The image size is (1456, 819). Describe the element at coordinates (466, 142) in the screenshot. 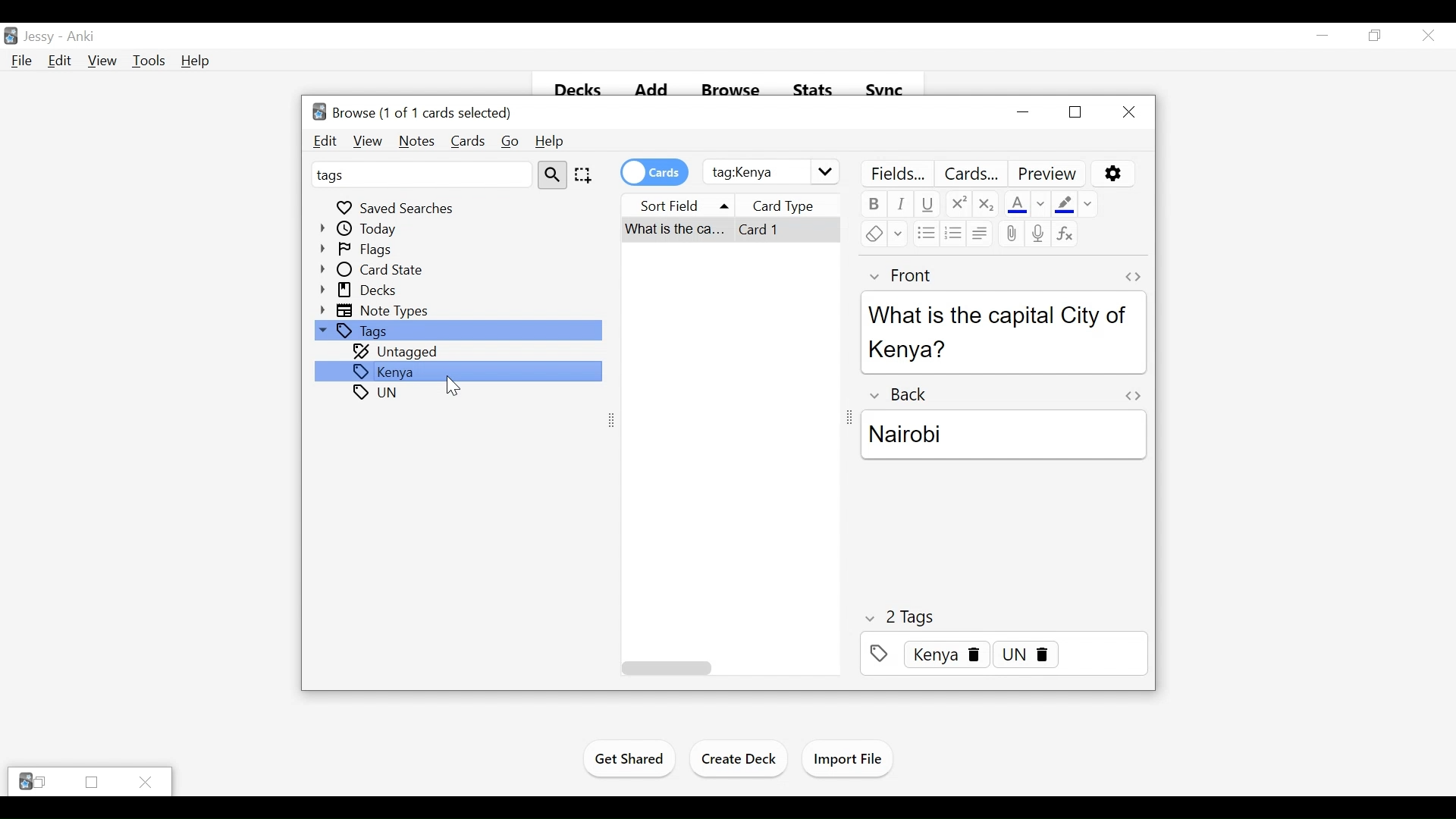

I see `Cards` at that location.